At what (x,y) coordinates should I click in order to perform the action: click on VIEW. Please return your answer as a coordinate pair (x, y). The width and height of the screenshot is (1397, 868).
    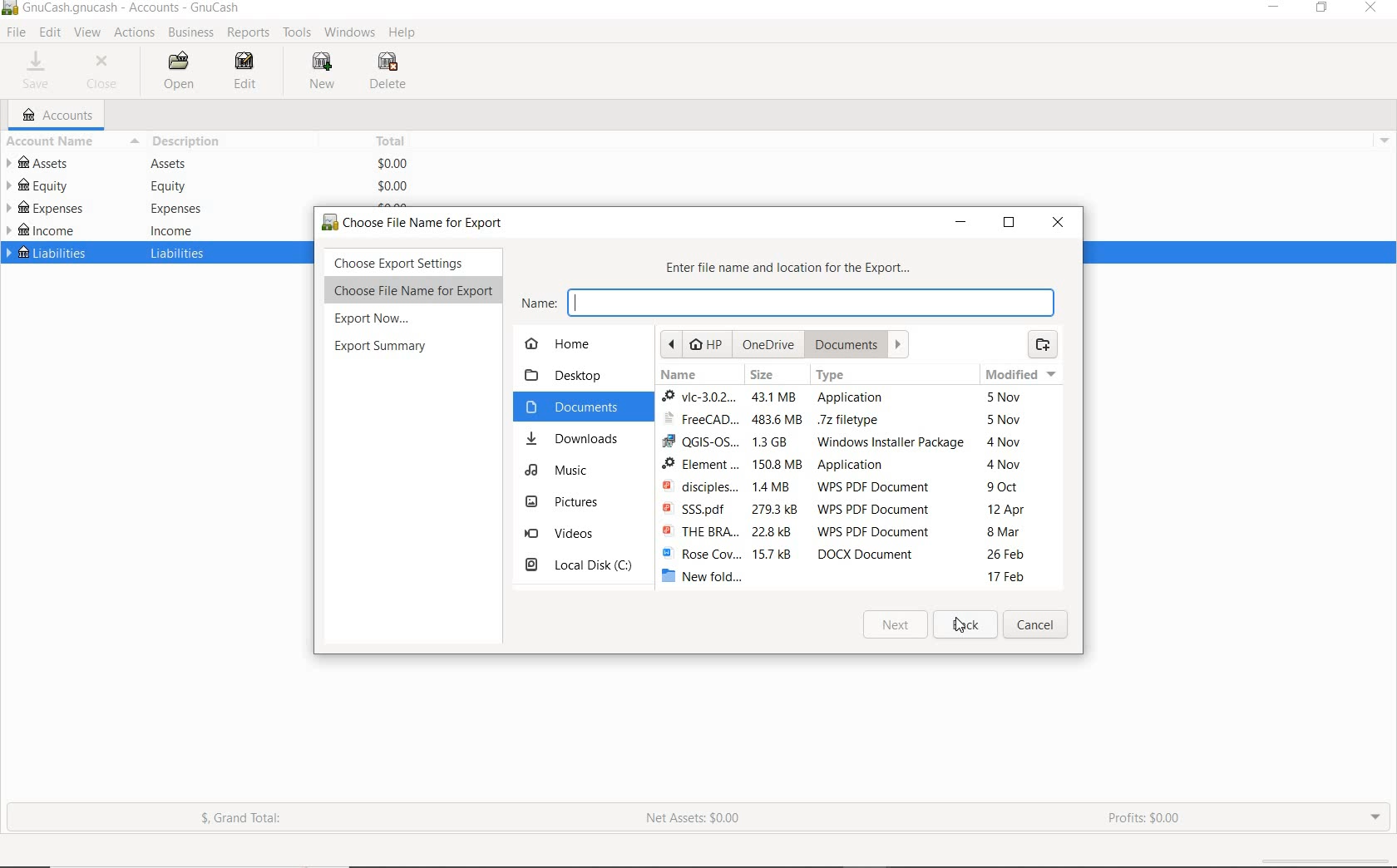
    Looking at the image, I should click on (90, 32).